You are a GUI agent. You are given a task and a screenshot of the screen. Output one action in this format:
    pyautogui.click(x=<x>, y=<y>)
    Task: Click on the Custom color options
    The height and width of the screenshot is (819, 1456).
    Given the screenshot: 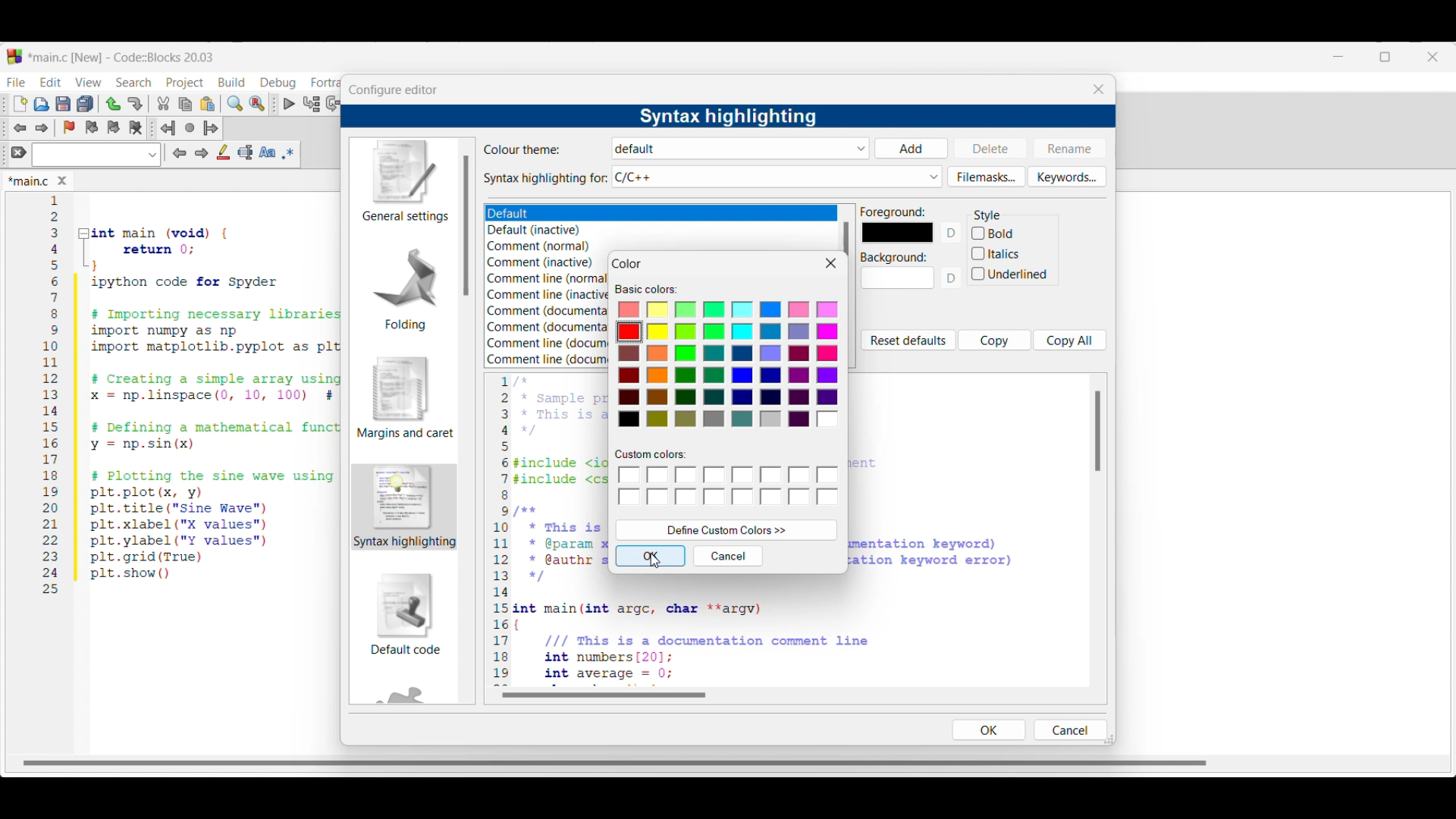 What is the action you would take?
    pyautogui.click(x=730, y=487)
    